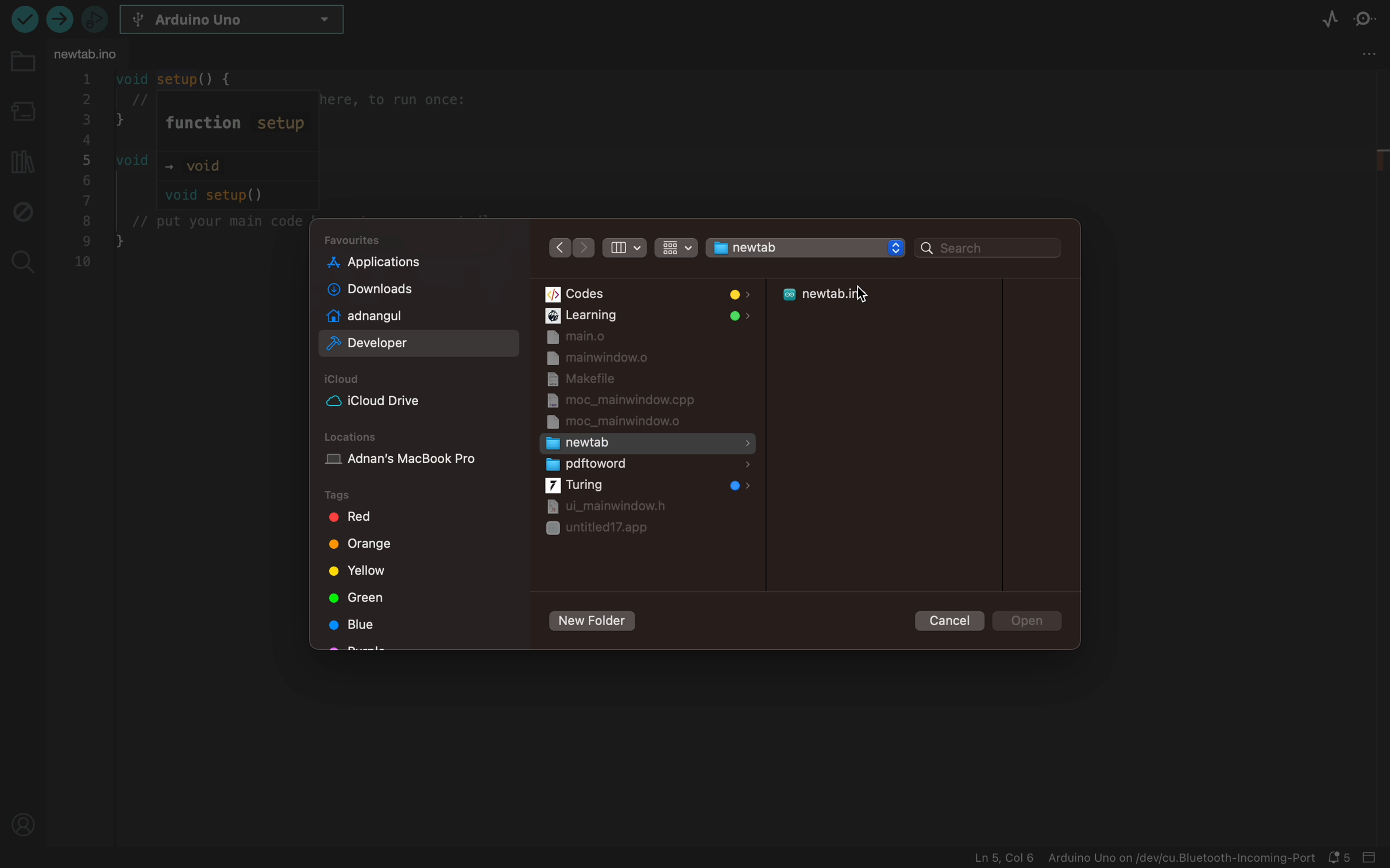 The width and height of the screenshot is (1390, 868). What do you see at coordinates (361, 571) in the screenshot?
I see `tags` at bounding box center [361, 571].